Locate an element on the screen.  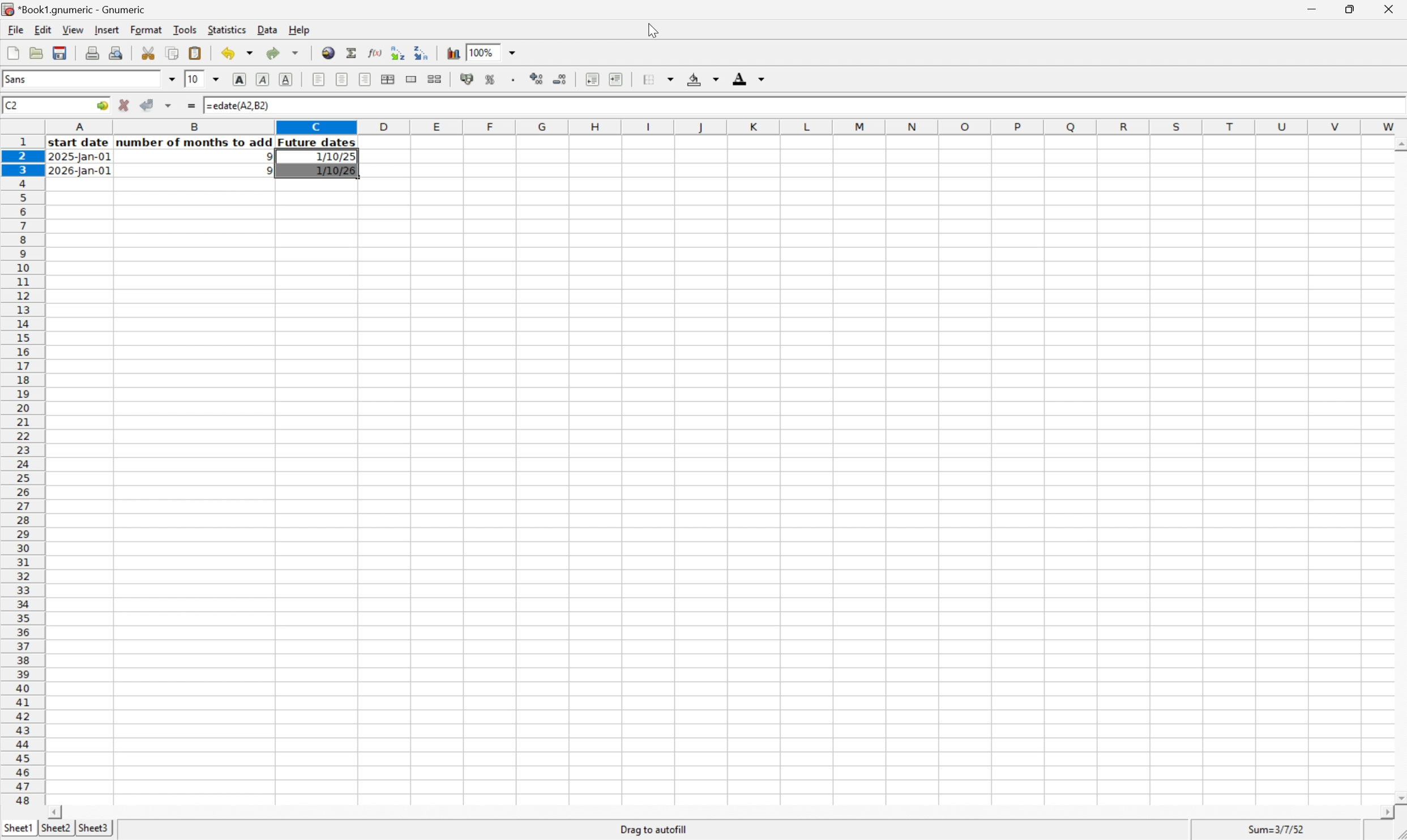
Insert is located at coordinates (106, 29).